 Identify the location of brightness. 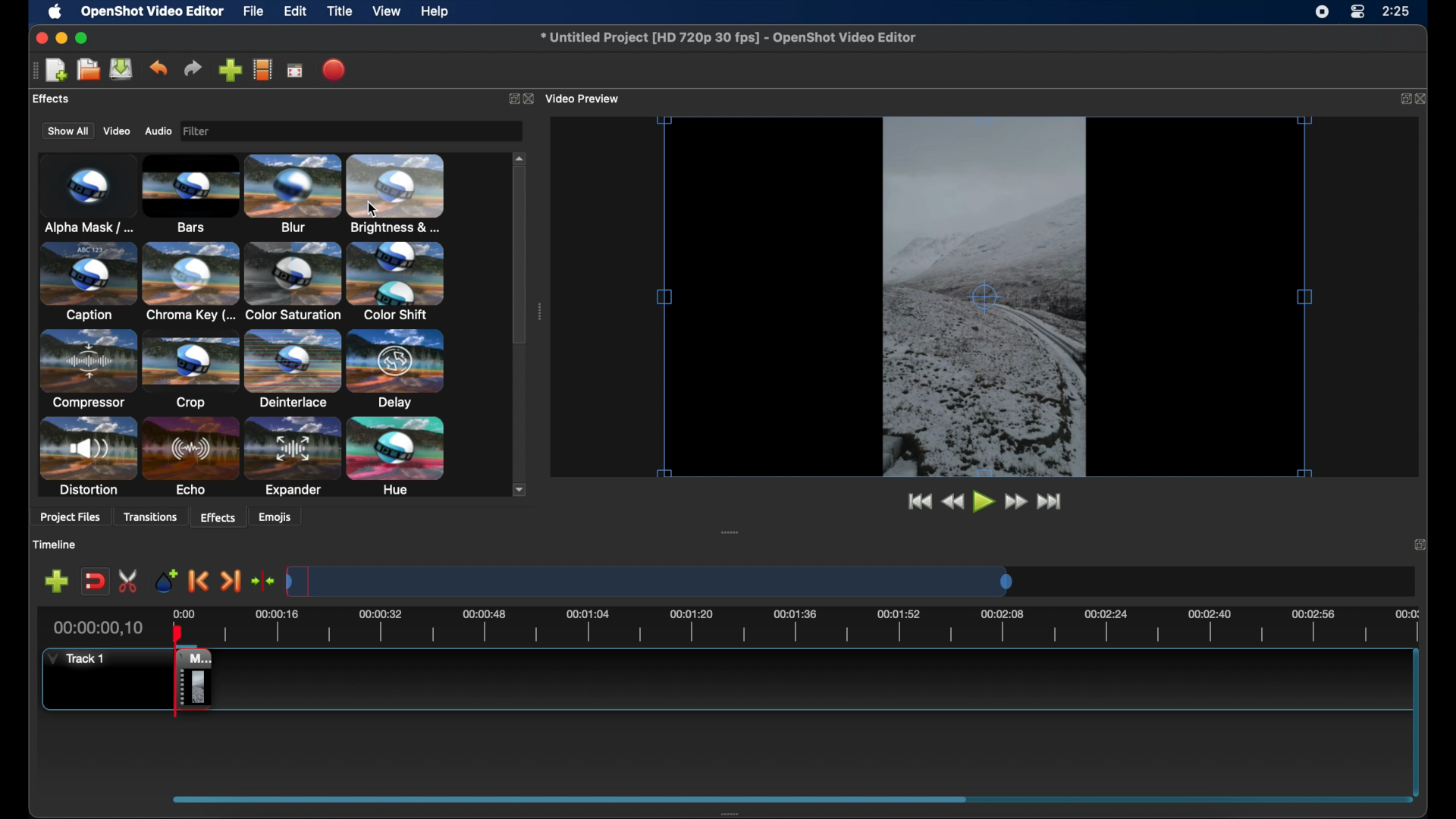
(396, 193).